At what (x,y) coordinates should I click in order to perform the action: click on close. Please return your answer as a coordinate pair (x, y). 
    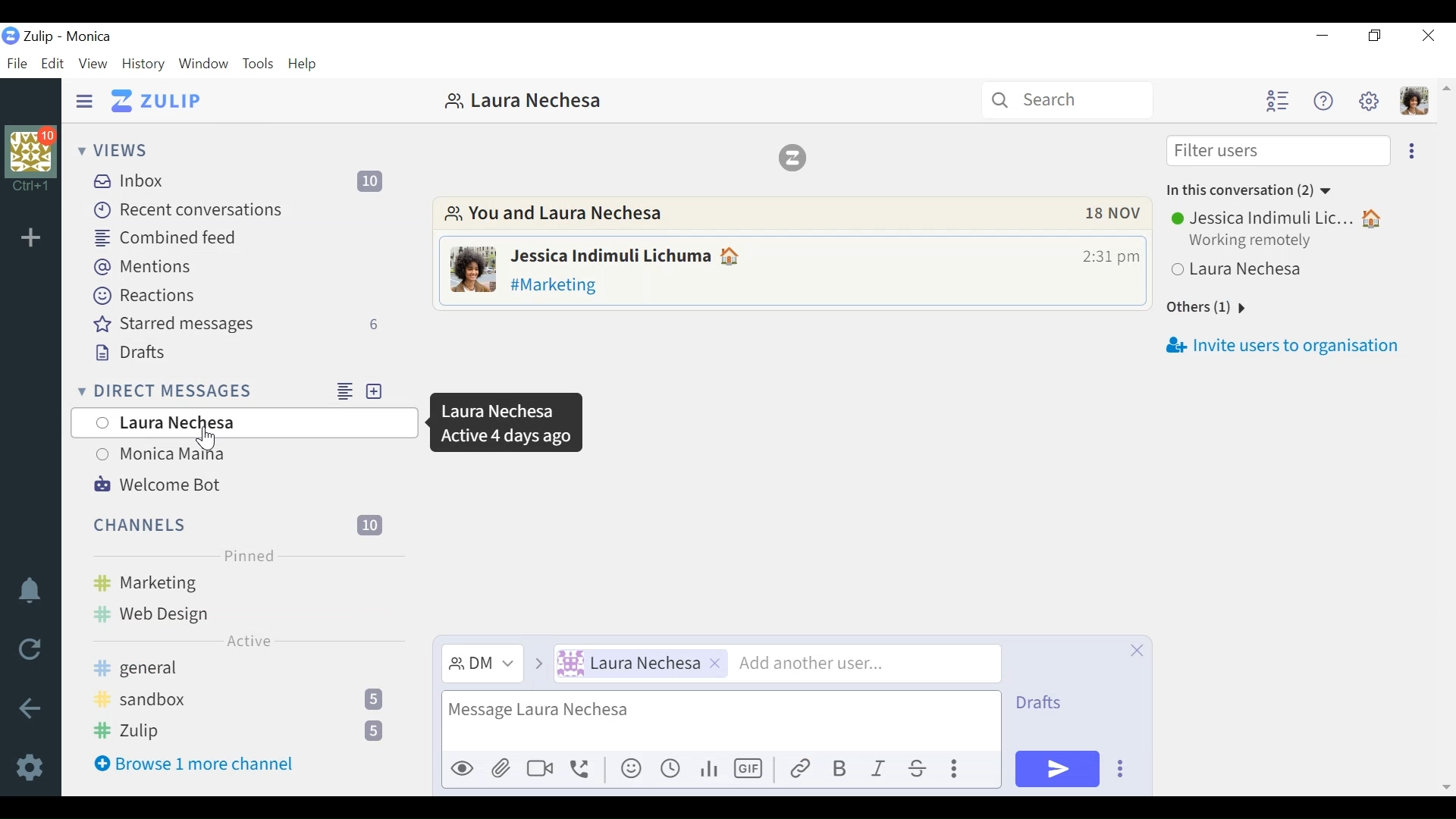
    Looking at the image, I should click on (1136, 651).